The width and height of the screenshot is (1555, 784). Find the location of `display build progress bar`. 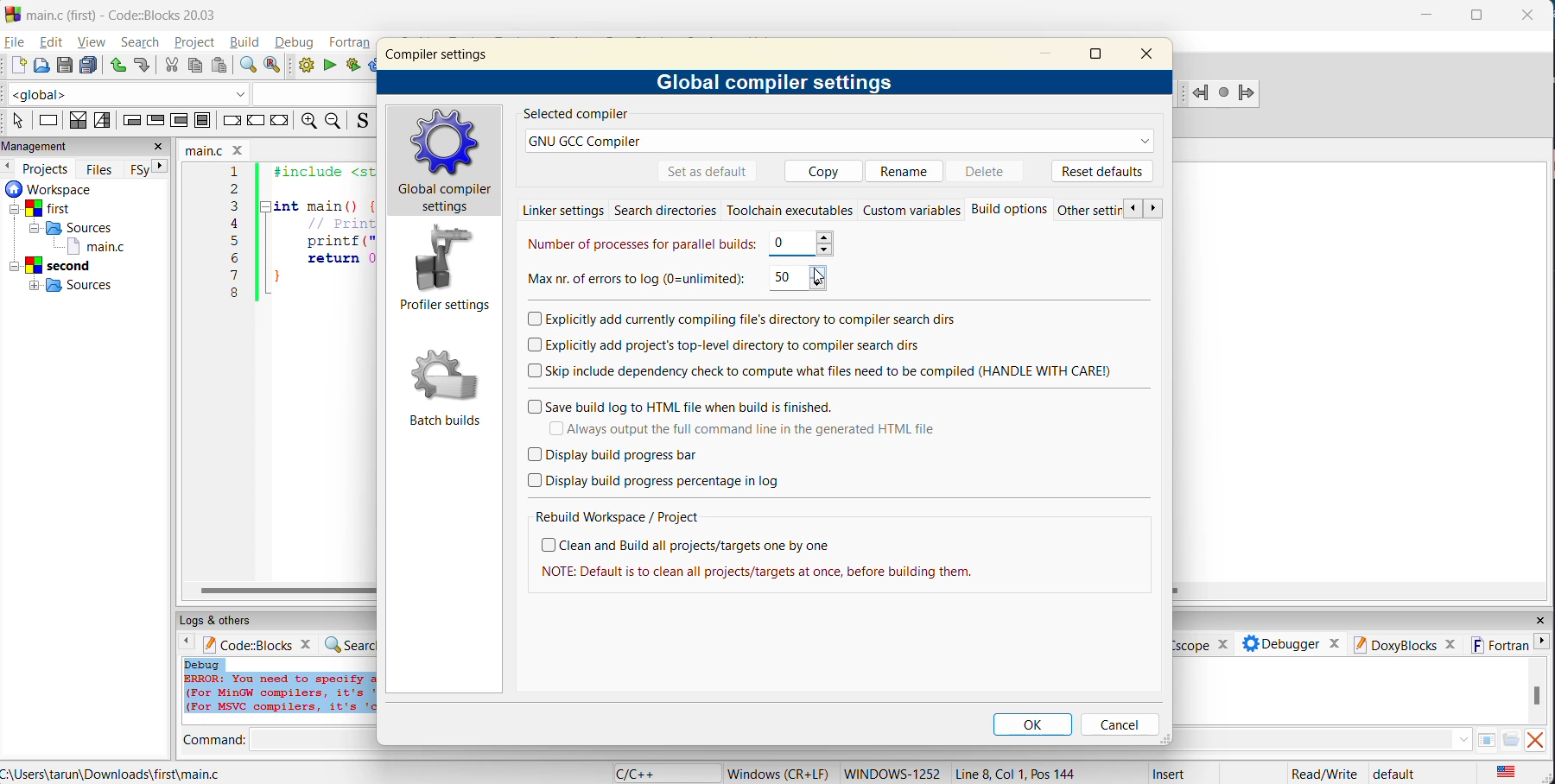

display build progress bar is located at coordinates (617, 457).